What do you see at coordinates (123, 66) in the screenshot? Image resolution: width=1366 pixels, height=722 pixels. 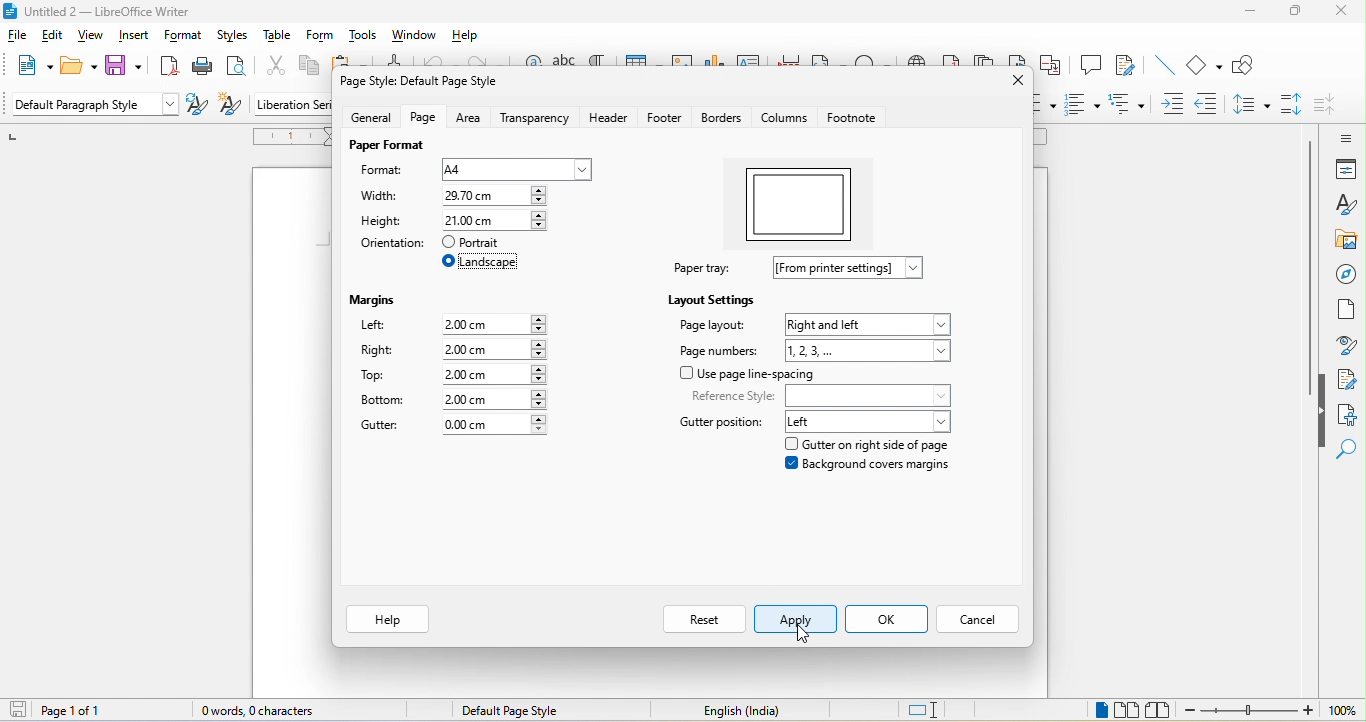 I see `save` at bounding box center [123, 66].